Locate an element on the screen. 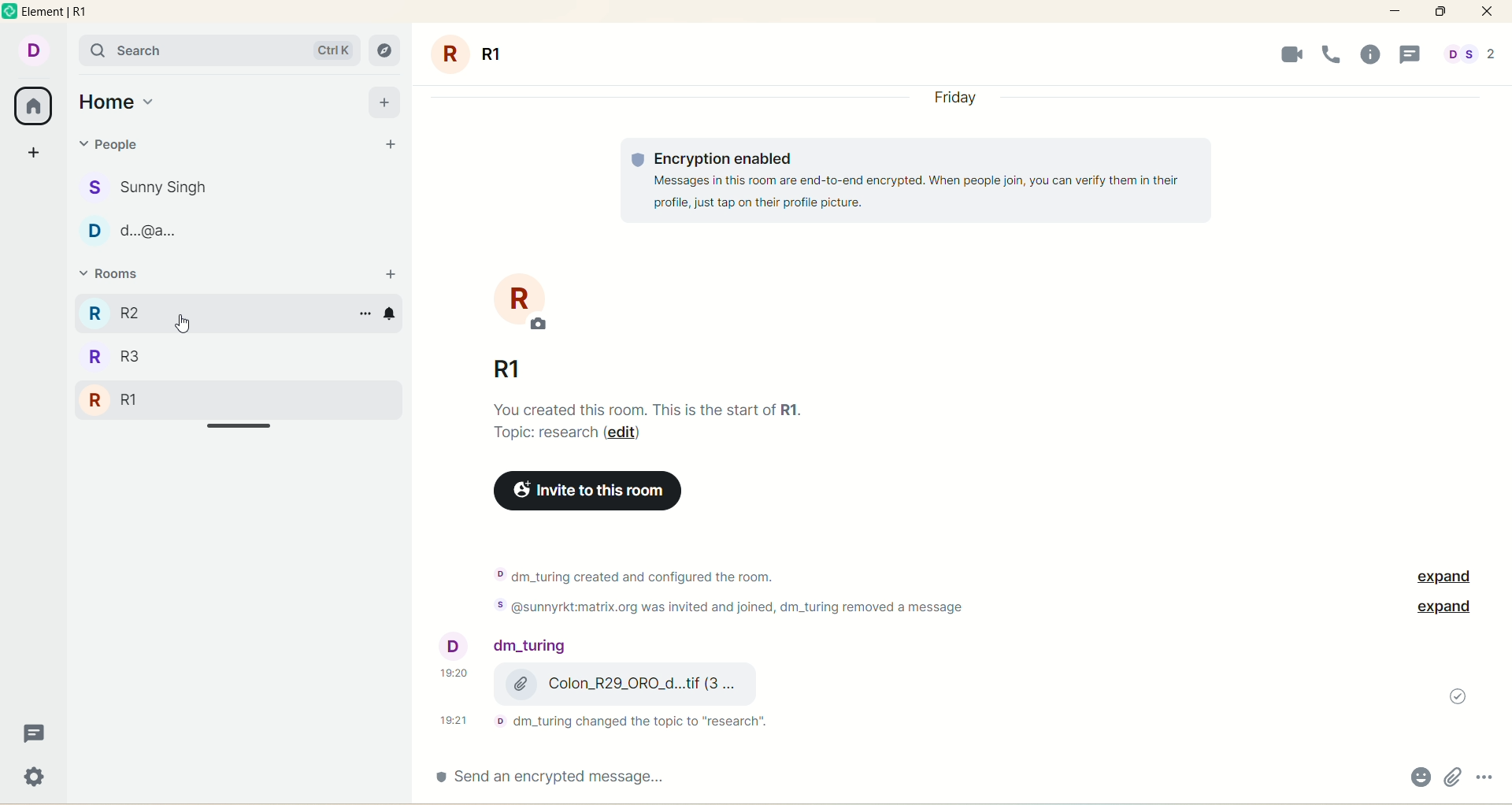 The image size is (1512, 805). rooms is located at coordinates (121, 276).